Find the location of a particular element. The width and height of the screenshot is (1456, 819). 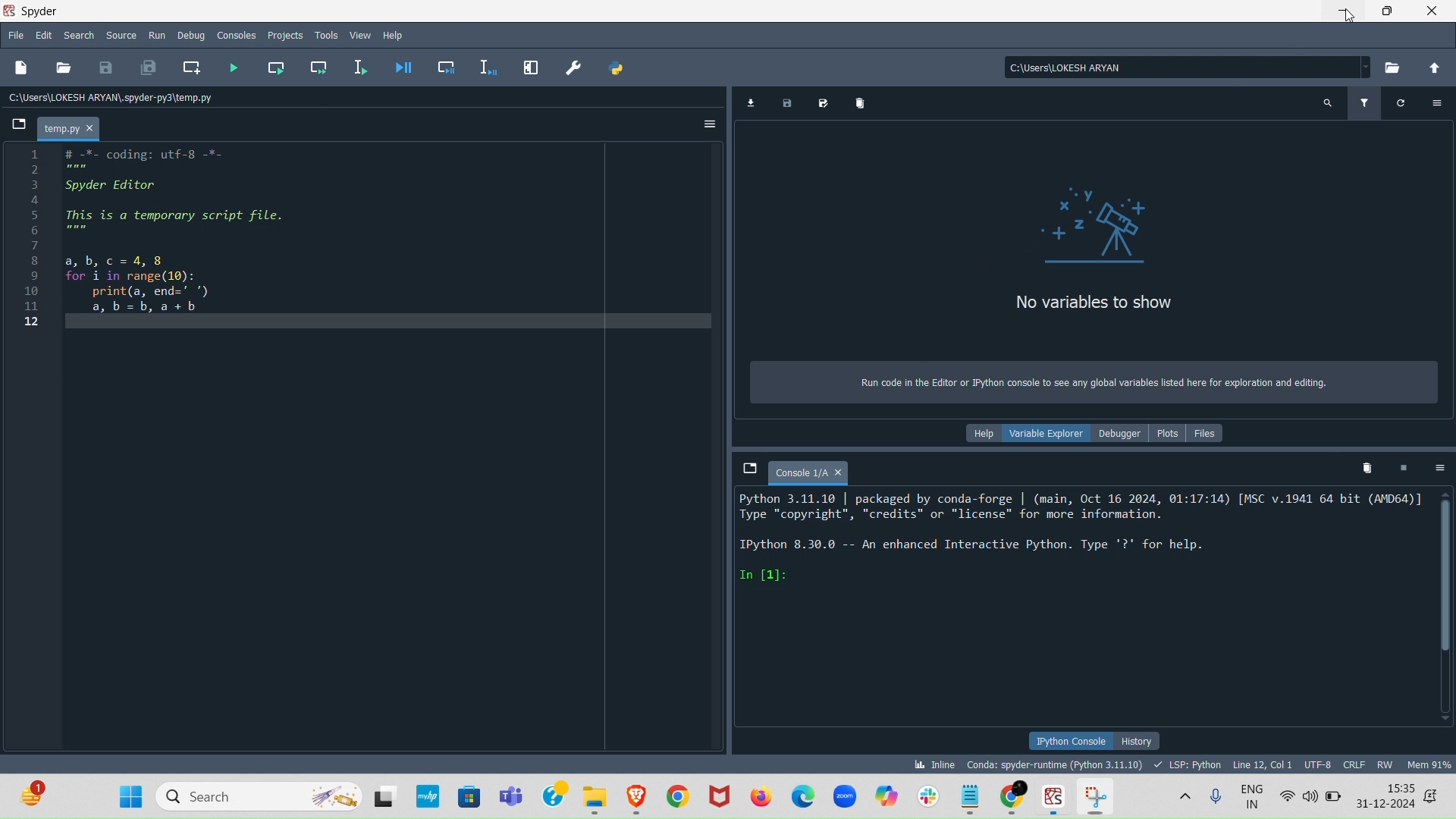

New file (Ctrl + N) is located at coordinates (20, 67).